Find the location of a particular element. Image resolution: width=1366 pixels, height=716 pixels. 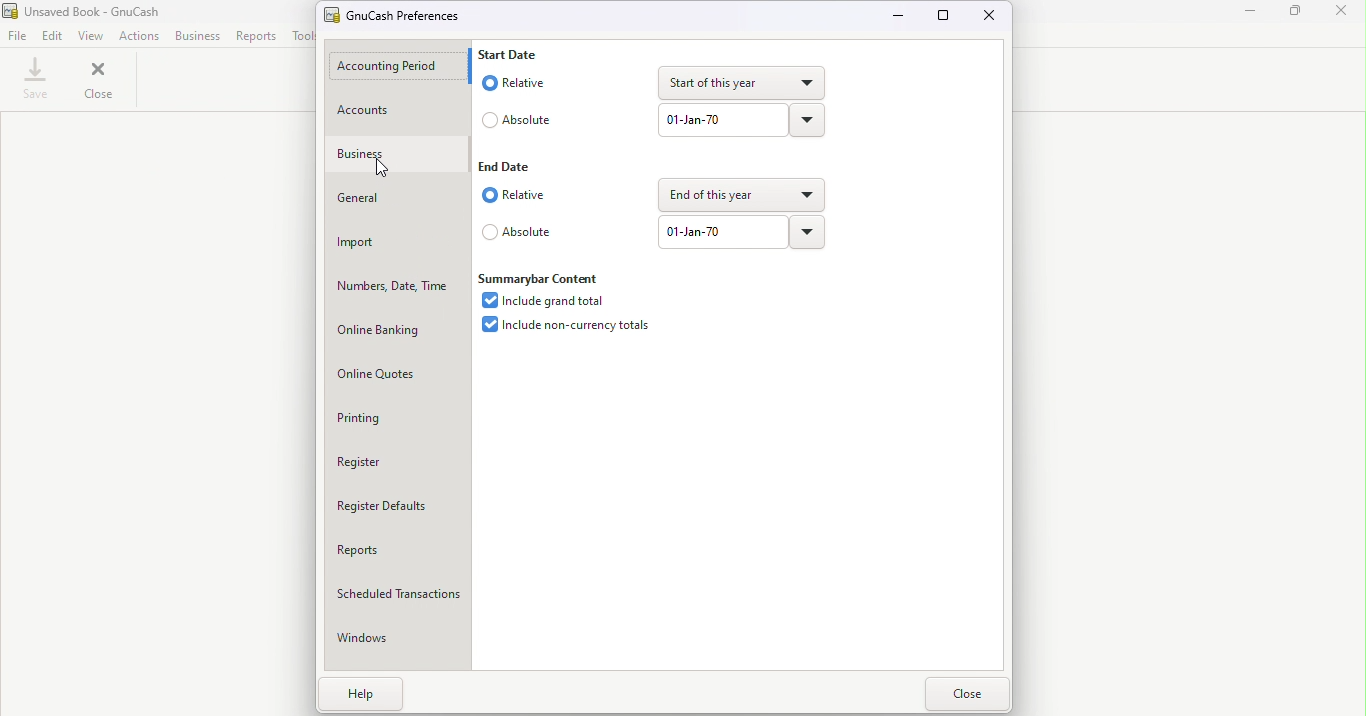

Edit is located at coordinates (52, 36).